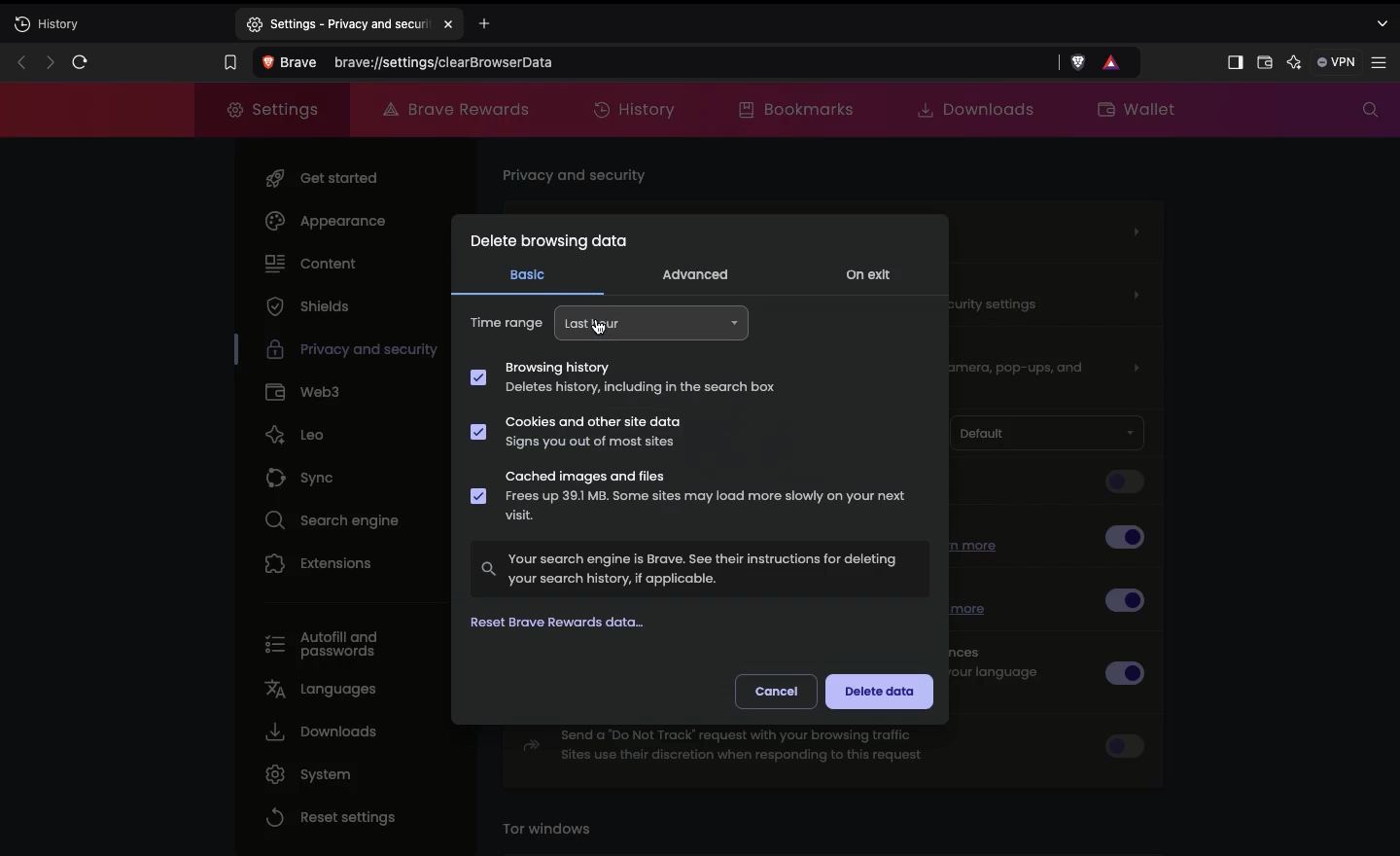 The width and height of the screenshot is (1400, 856). I want to click on Refresh page, so click(80, 61).